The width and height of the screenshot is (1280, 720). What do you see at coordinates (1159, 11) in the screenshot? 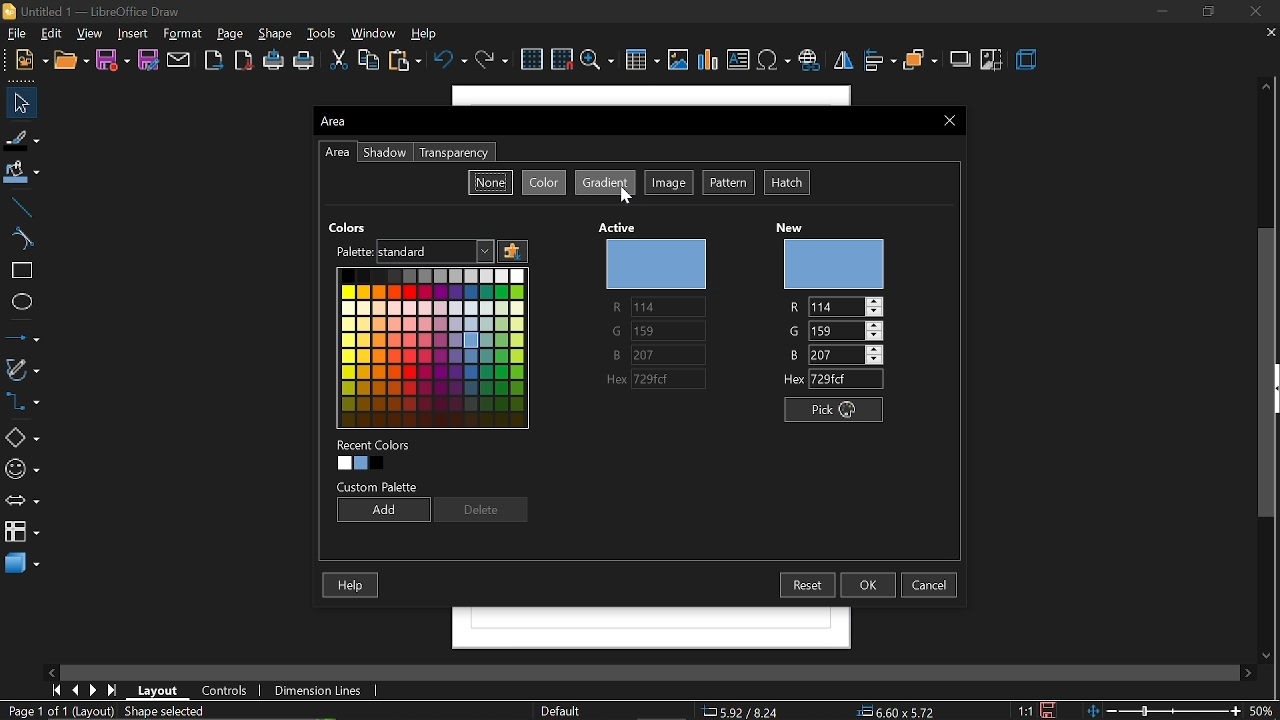
I see `Minimize` at bounding box center [1159, 11].